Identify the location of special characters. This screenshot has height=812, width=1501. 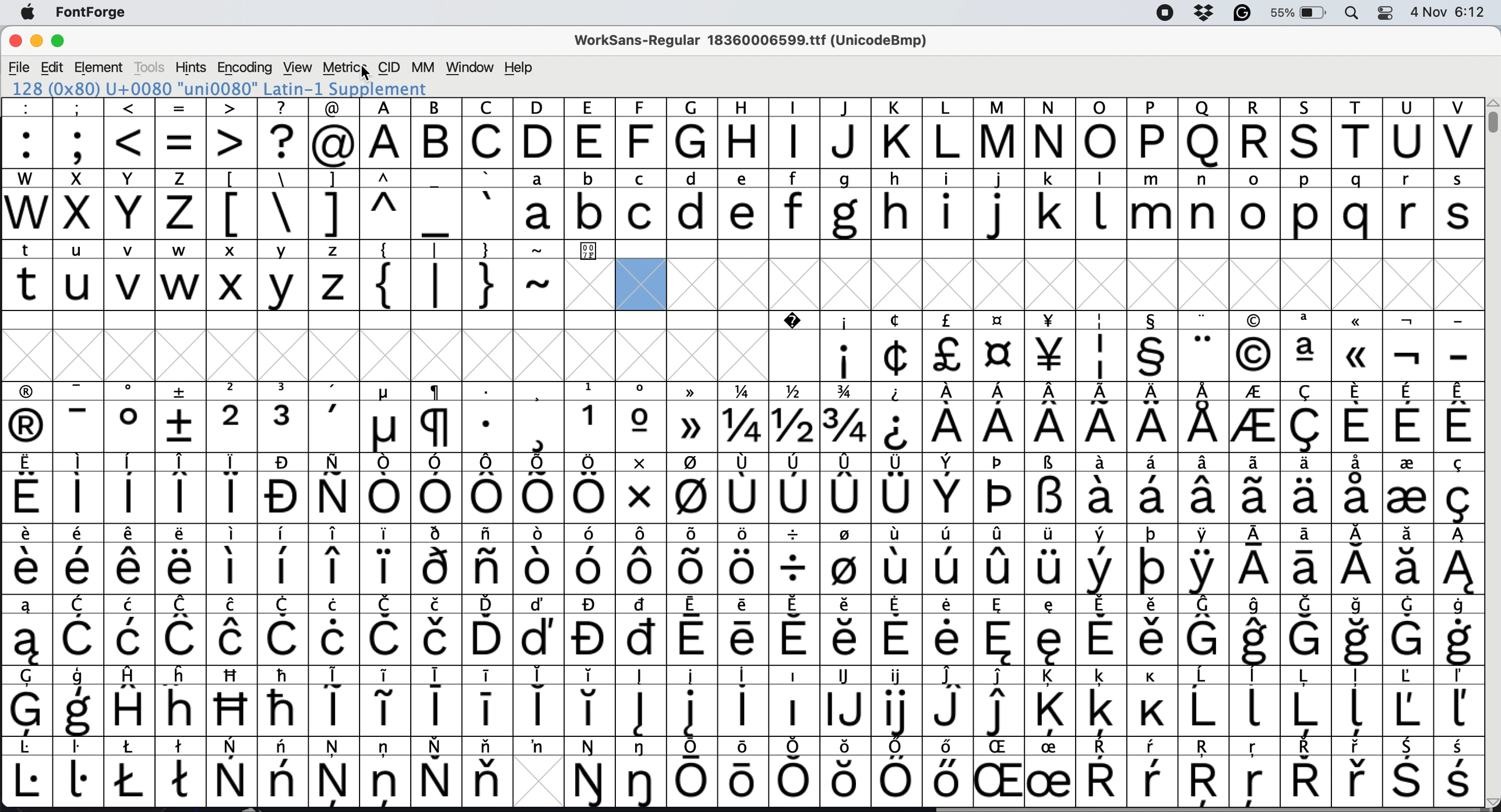
(492, 249).